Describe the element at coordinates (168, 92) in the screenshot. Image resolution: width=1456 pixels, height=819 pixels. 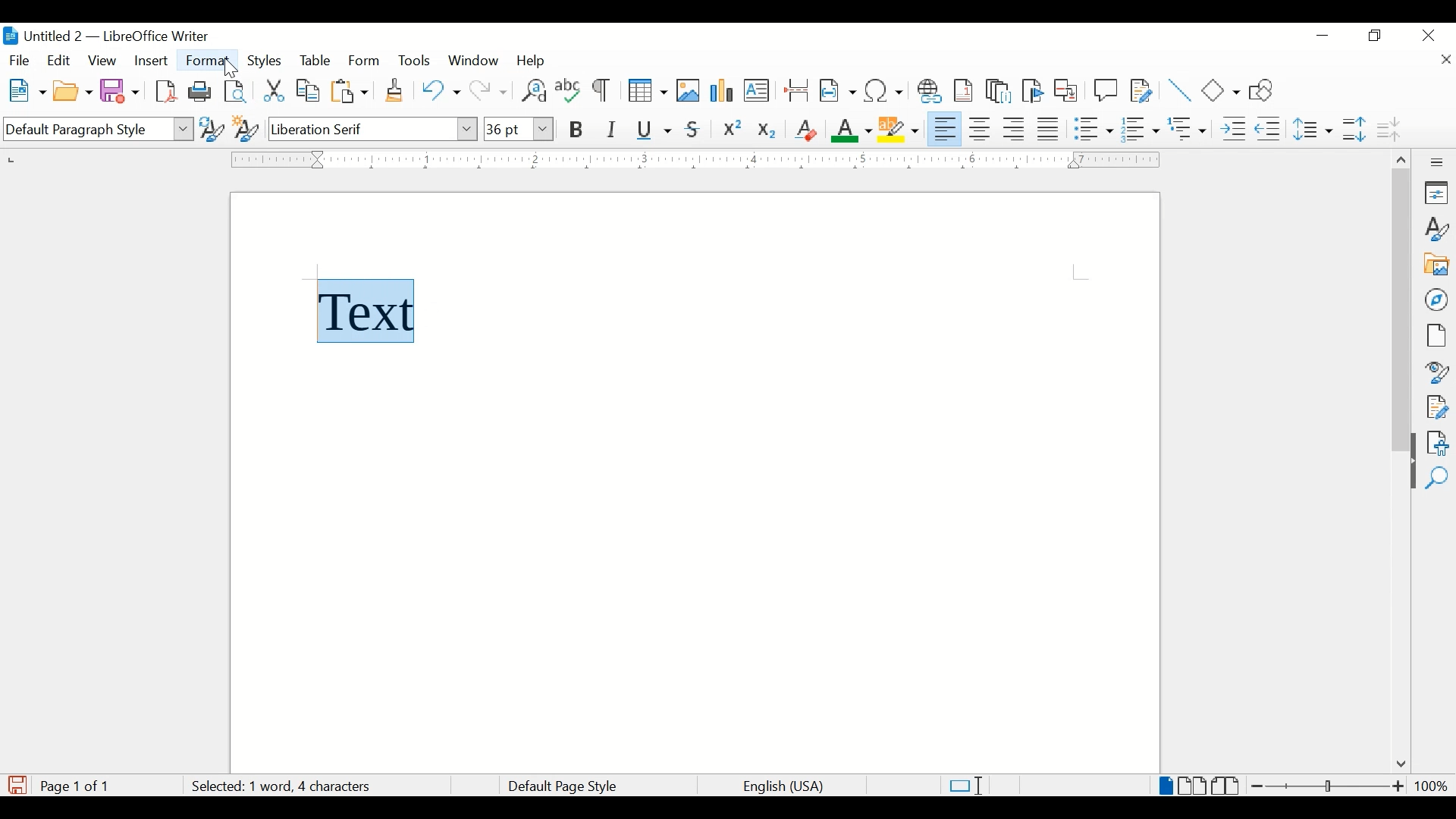
I see `export directly as pdf` at that location.